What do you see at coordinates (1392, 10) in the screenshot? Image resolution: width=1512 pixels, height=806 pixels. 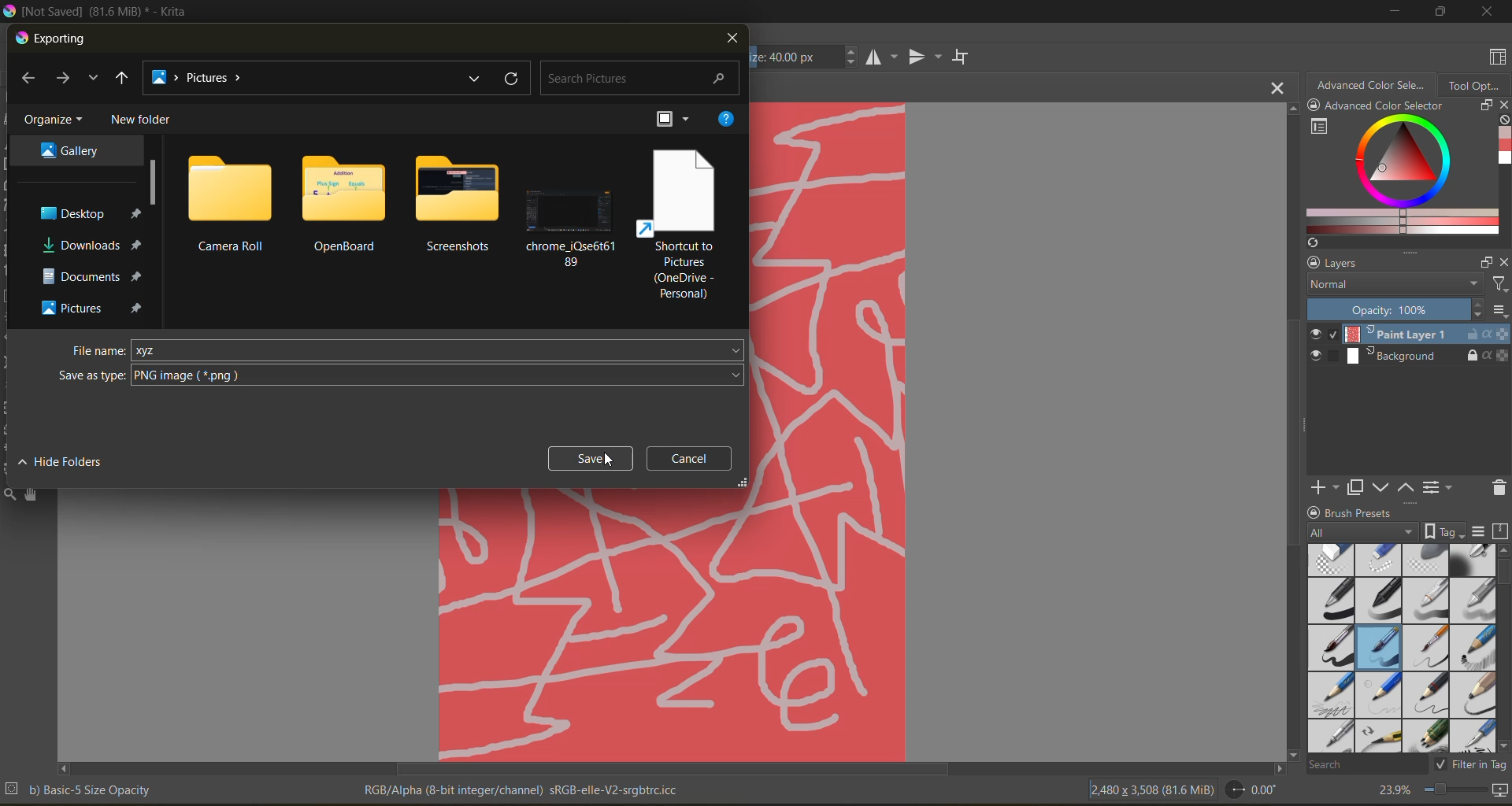 I see `minimize` at bounding box center [1392, 10].